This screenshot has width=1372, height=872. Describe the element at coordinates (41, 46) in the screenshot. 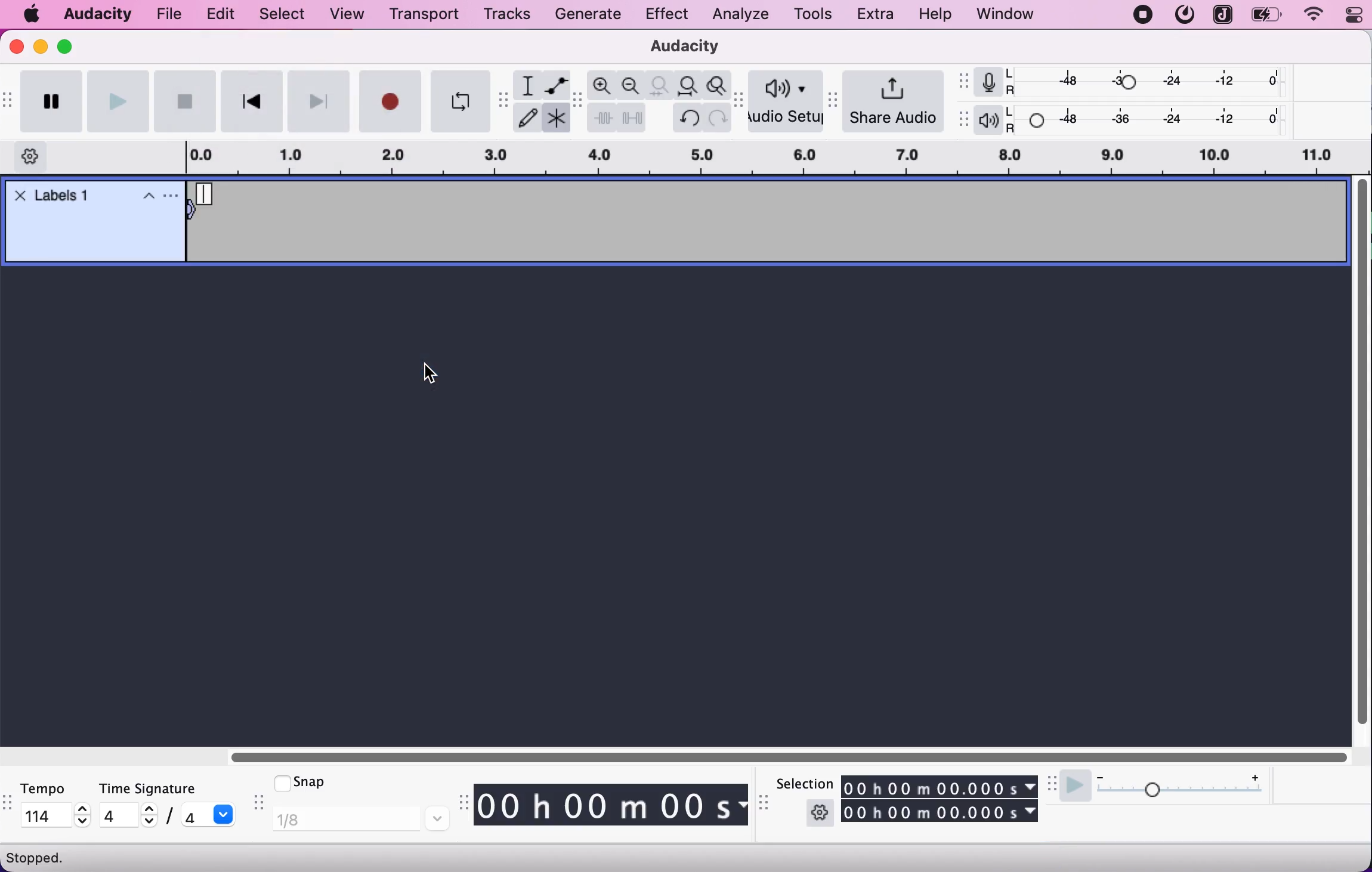

I see `minimize` at that location.